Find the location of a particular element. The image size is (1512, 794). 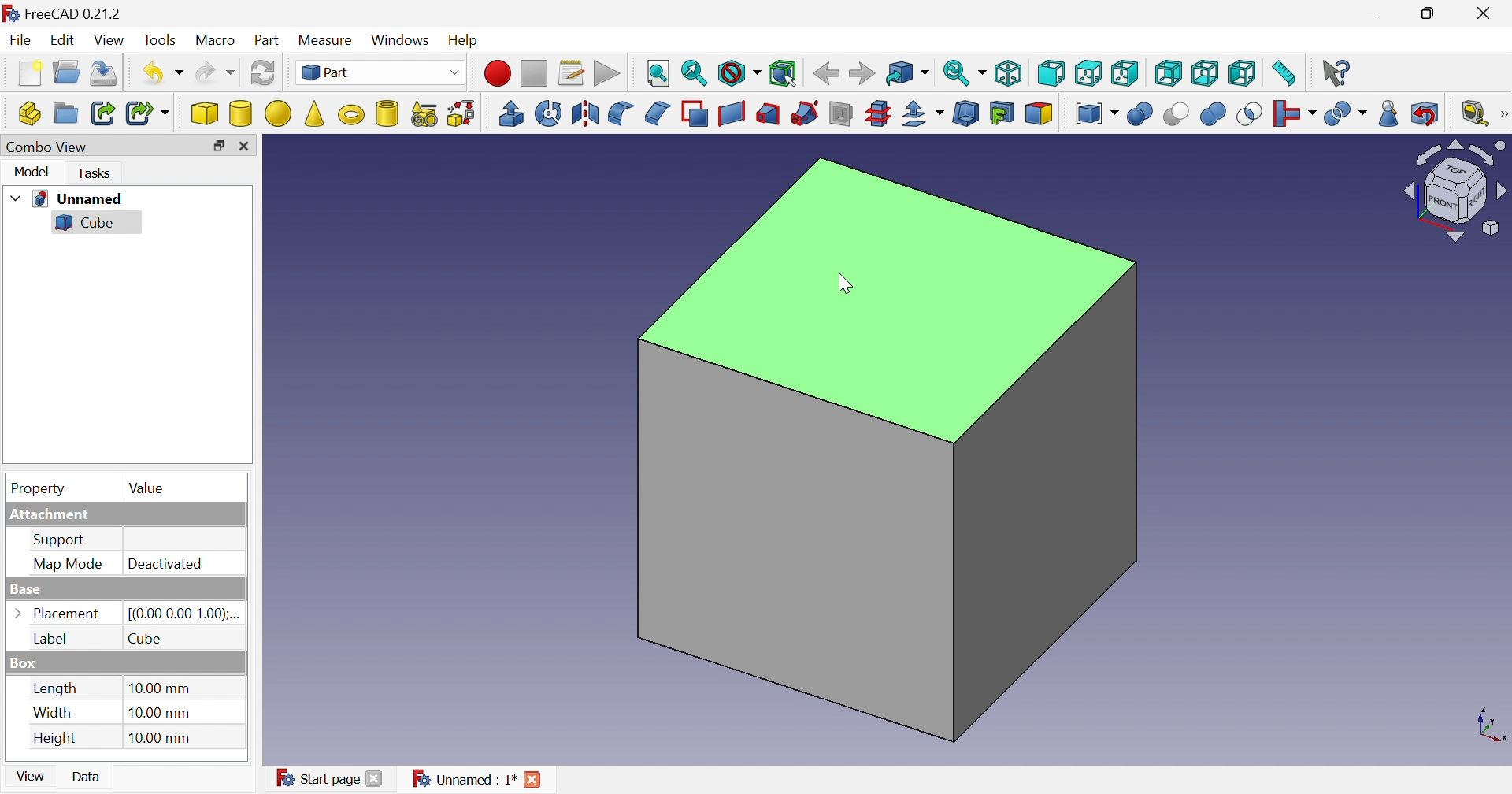

Start page is located at coordinates (317, 779).